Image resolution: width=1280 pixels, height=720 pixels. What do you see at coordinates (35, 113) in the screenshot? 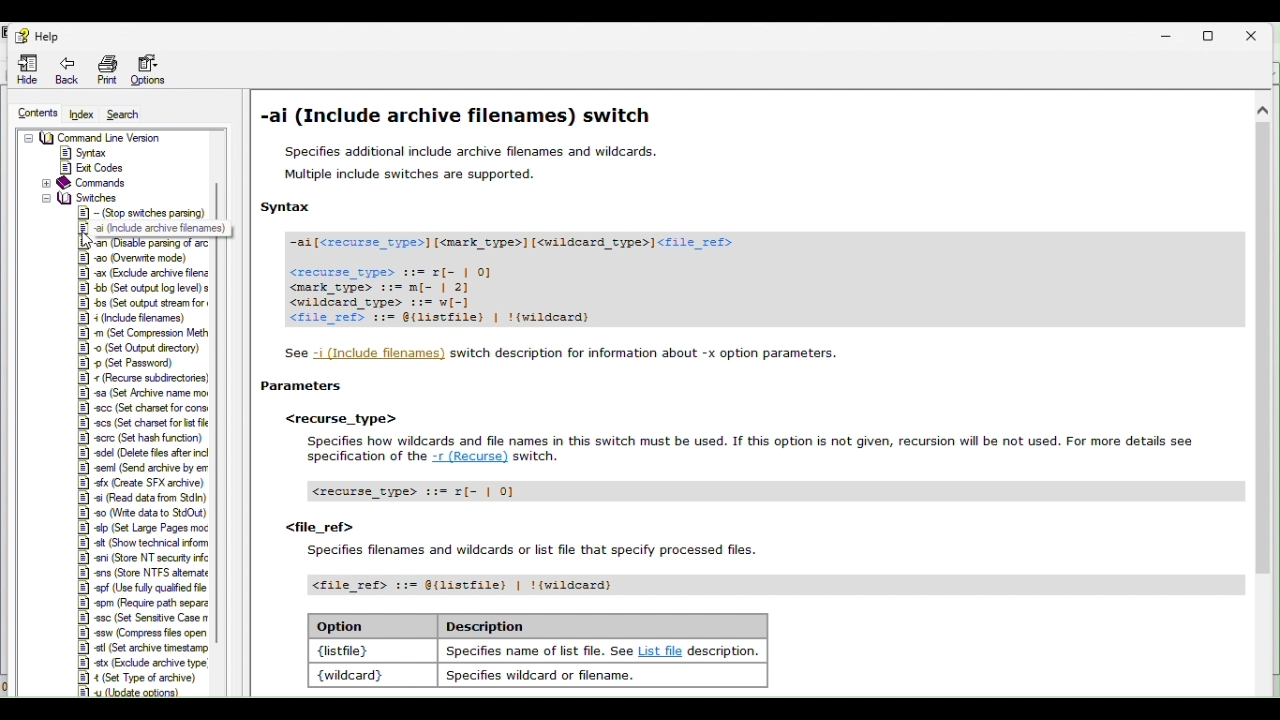
I see `Contents` at bounding box center [35, 113].